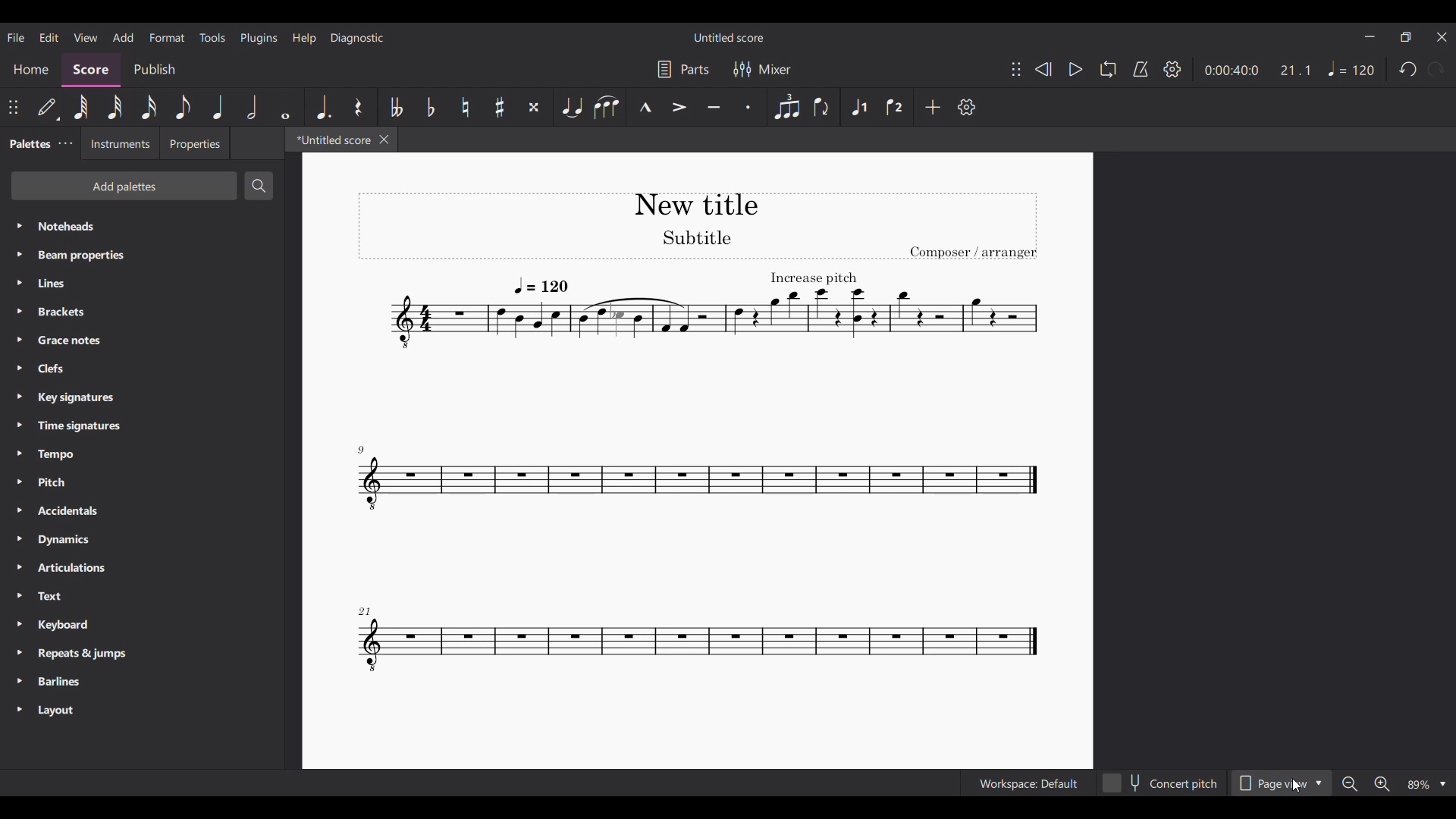 The height and width of the screenshot is (819, 1456). Describe the element at coordinates (143, 682) in the screenshot. I see `Barlines` at that location.